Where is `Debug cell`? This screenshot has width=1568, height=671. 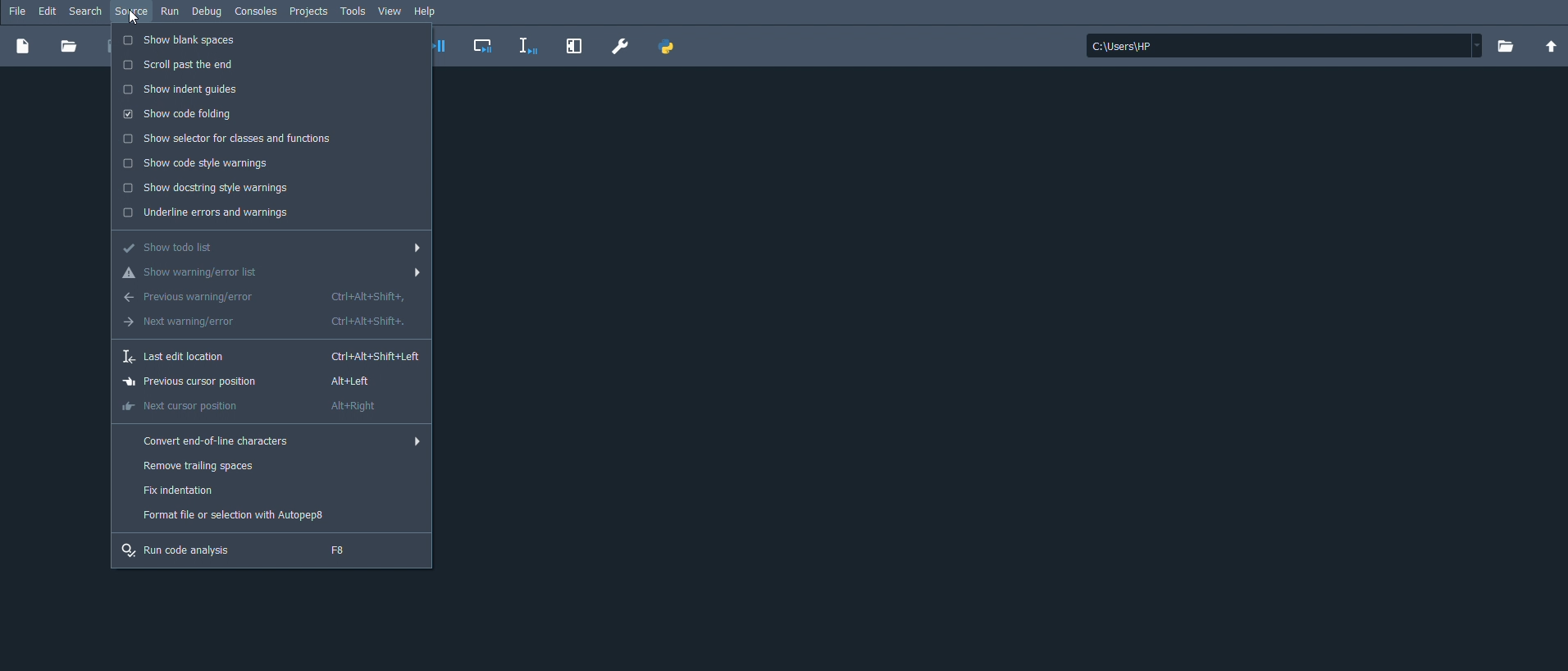 Debug cell is located at coordinates (485, 46).